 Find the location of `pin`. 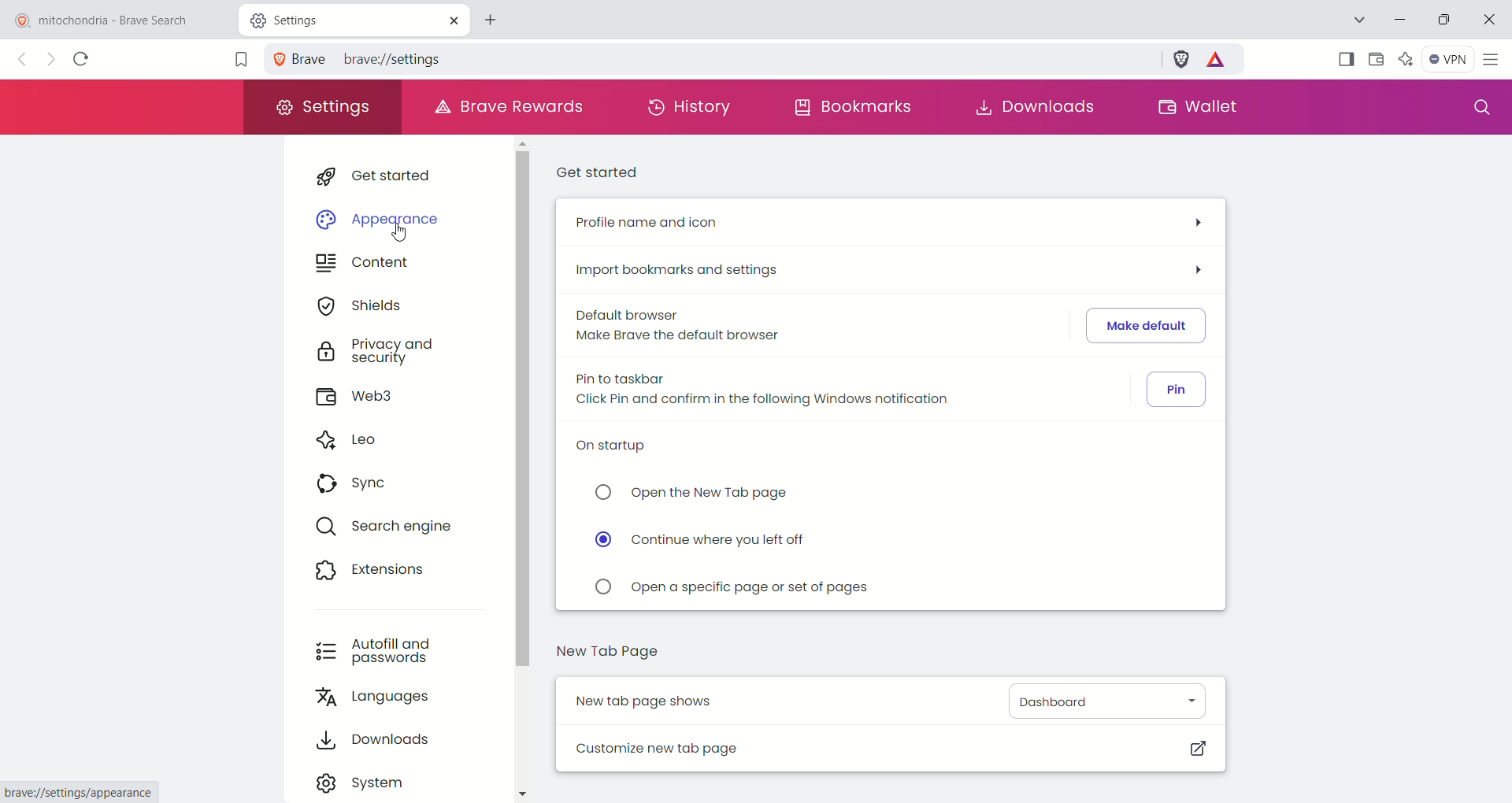

pin is located at coordinates (1178, 390).